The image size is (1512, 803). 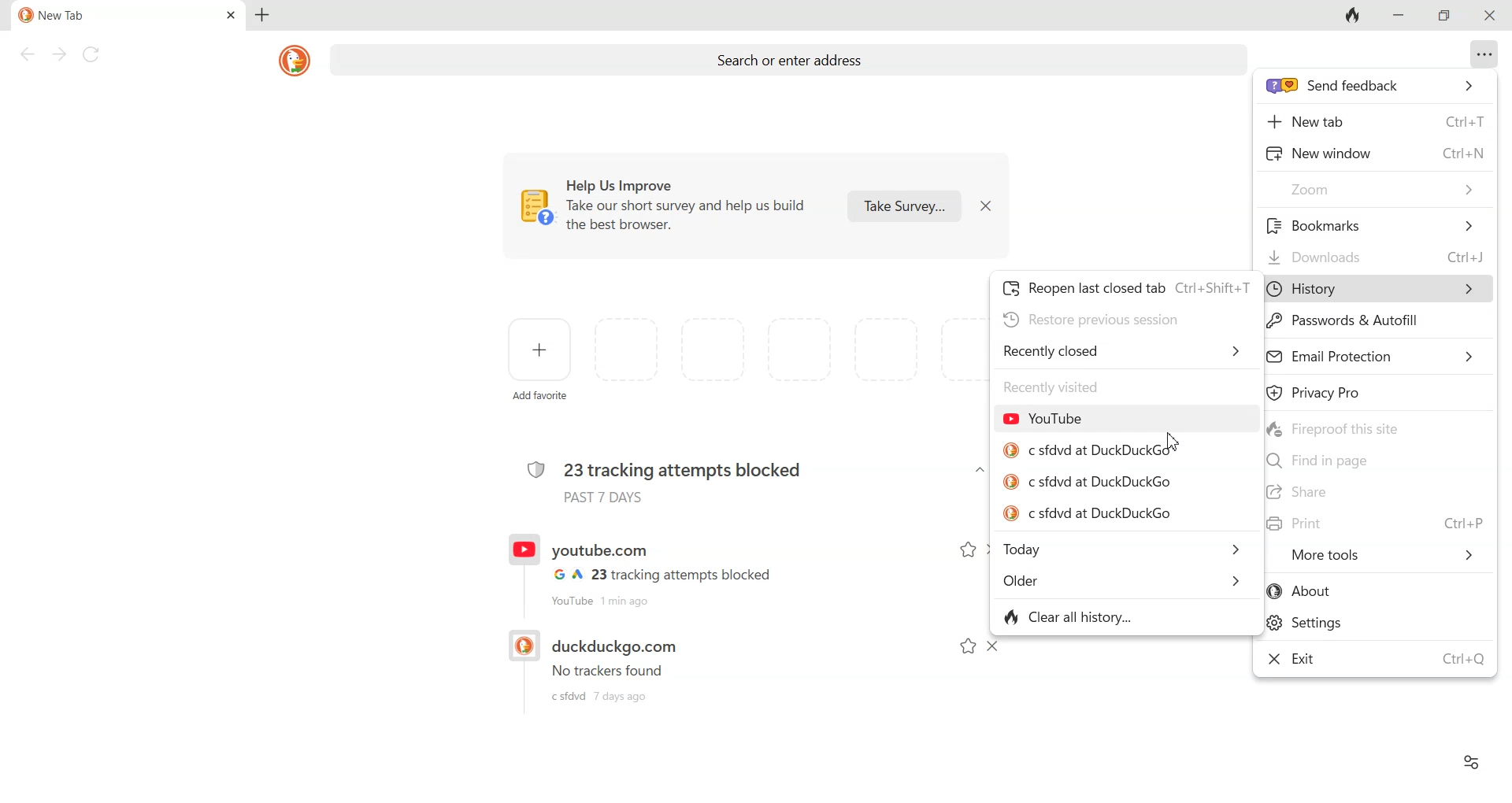 What do you see at coordinates (980, 470) in the screenshot?
I see `Dropdown arrow` at bounding box center [980, 470].